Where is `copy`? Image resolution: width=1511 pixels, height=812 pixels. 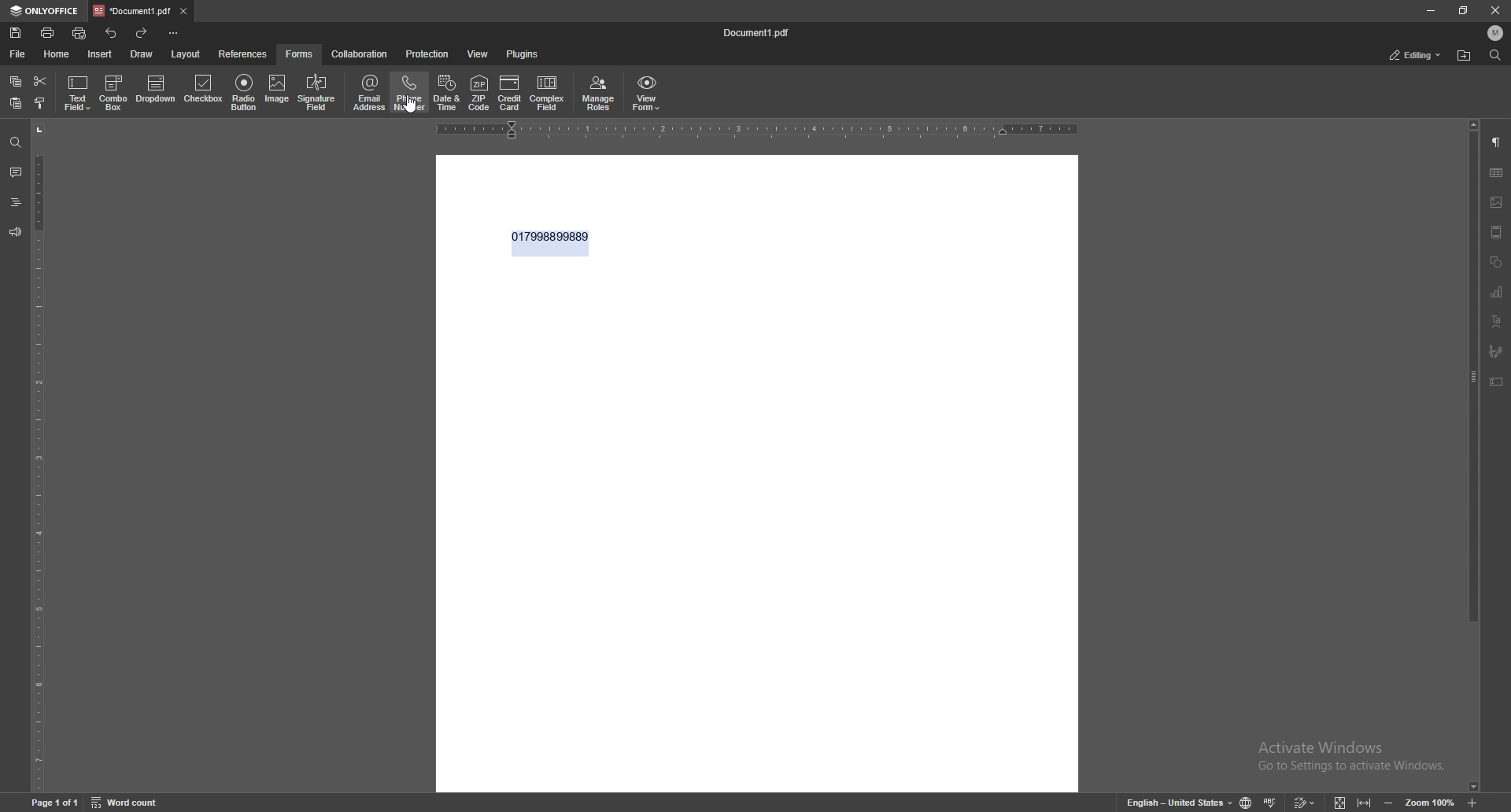 copy is located at coordinates (15, 81).